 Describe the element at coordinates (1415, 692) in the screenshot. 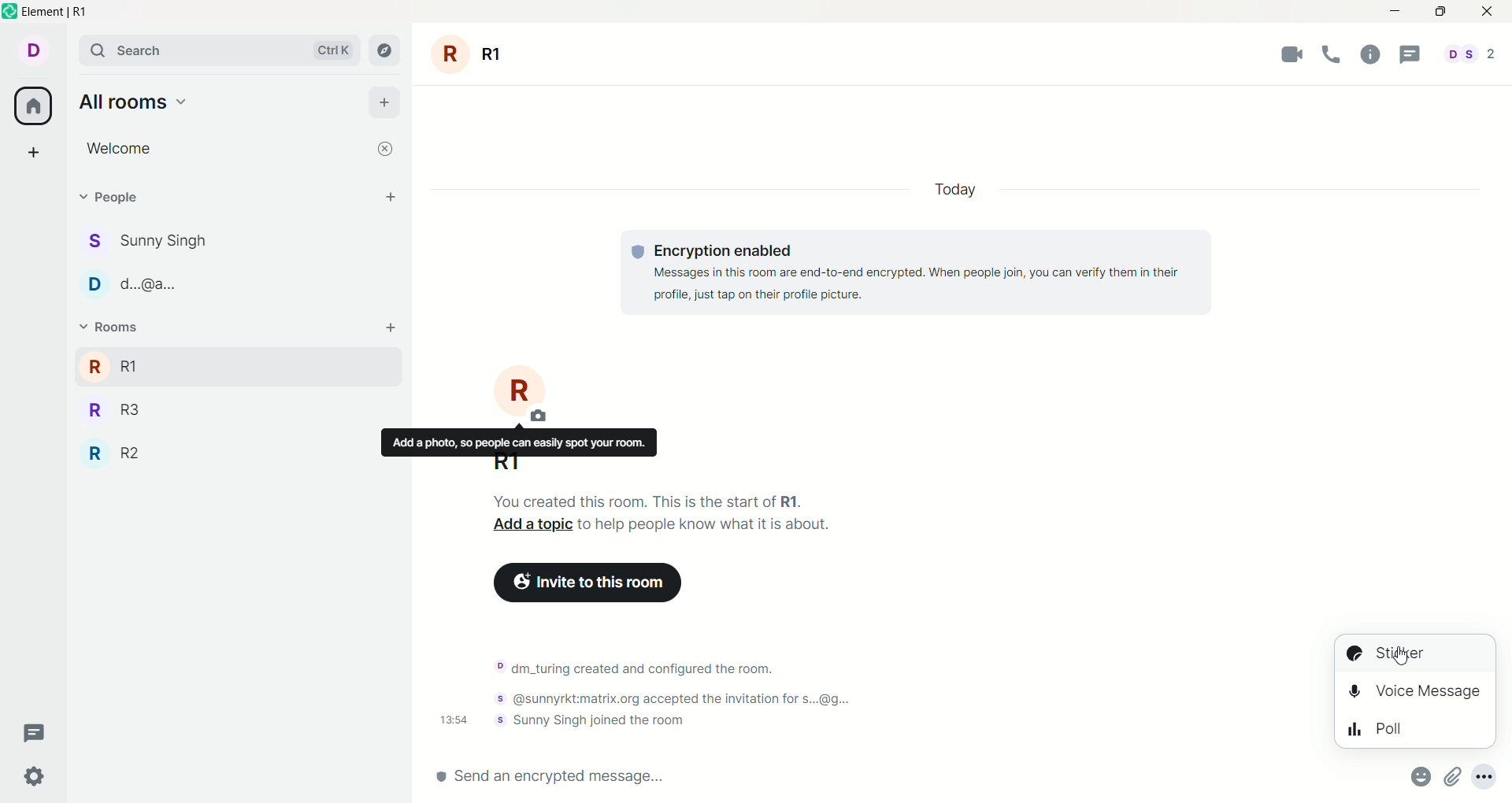

I see `voice message` at that location.